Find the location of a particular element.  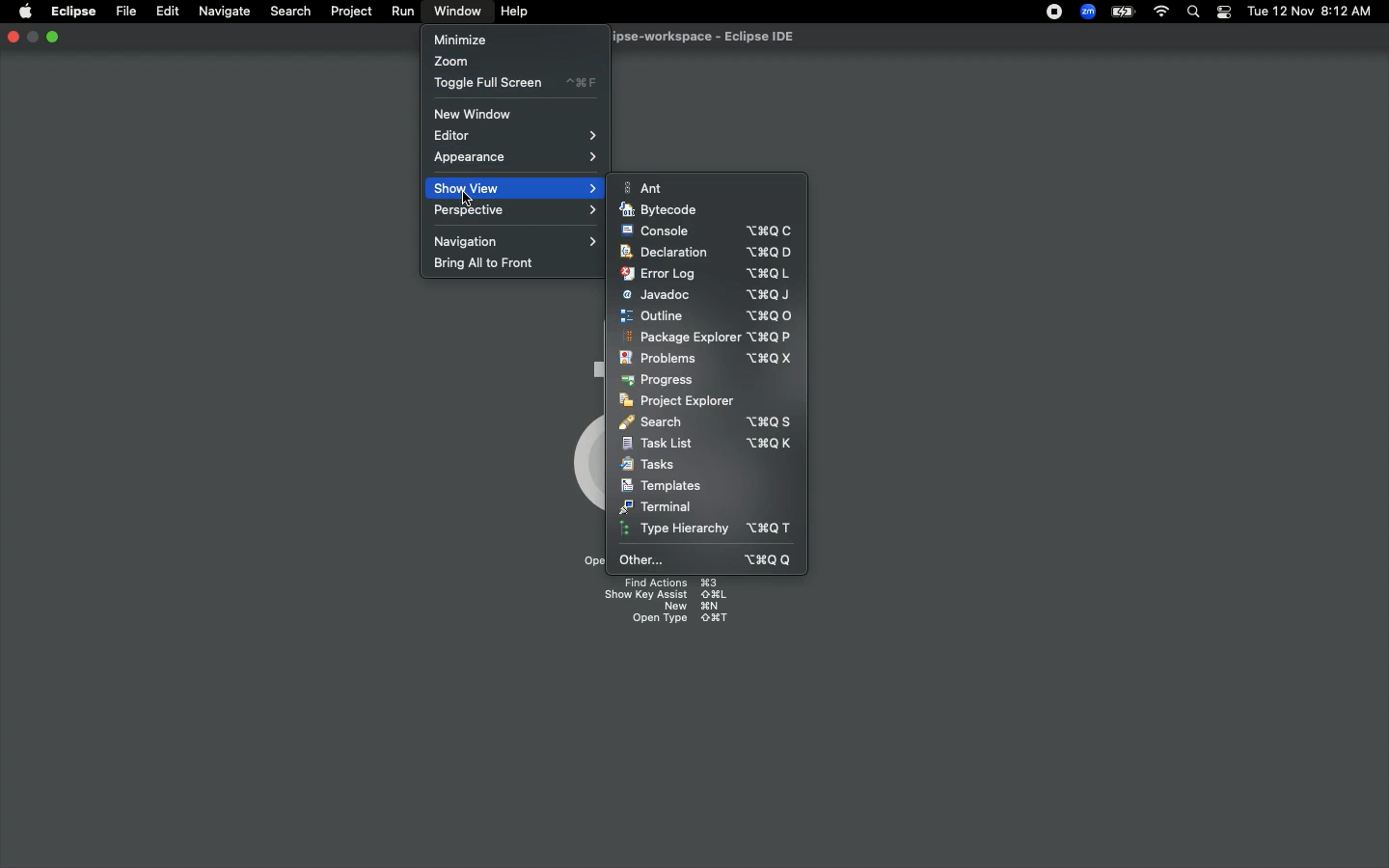

Templates is located at coordinates (663, 486).